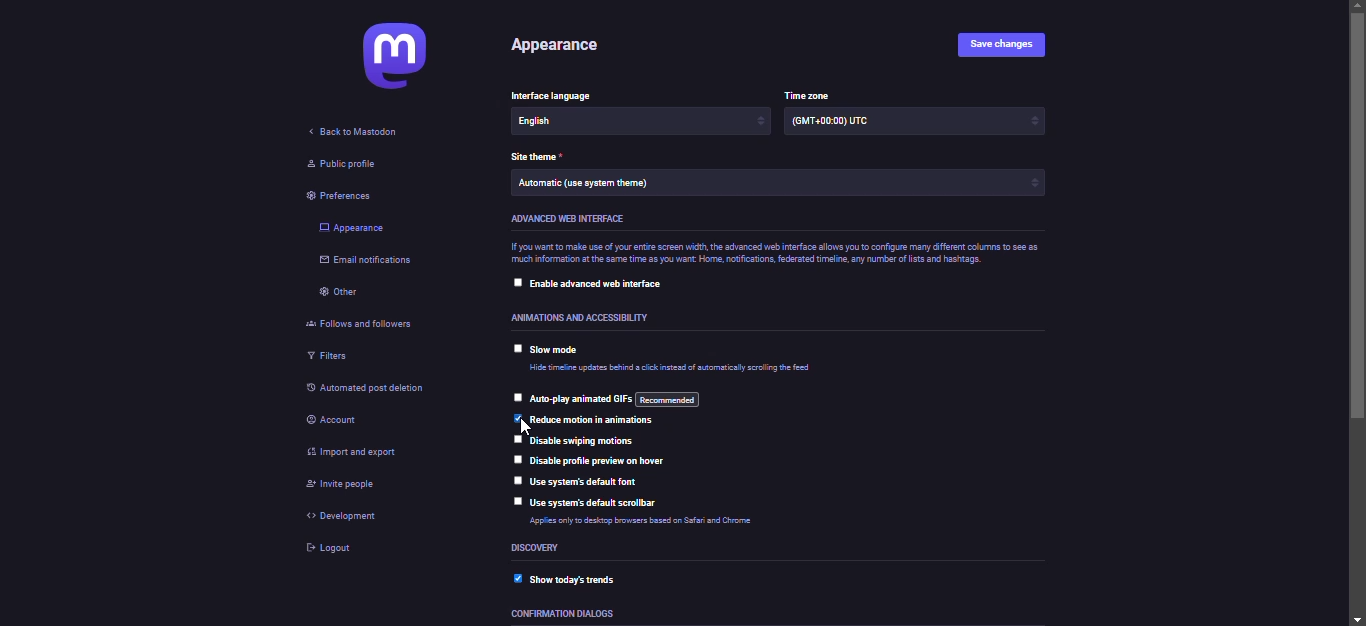 The height and width of the screenshot is (626, 1366). What do you see at coordinates (808, 94) in the screenshot?
I see `time zone` at bounding box center [808, 94].